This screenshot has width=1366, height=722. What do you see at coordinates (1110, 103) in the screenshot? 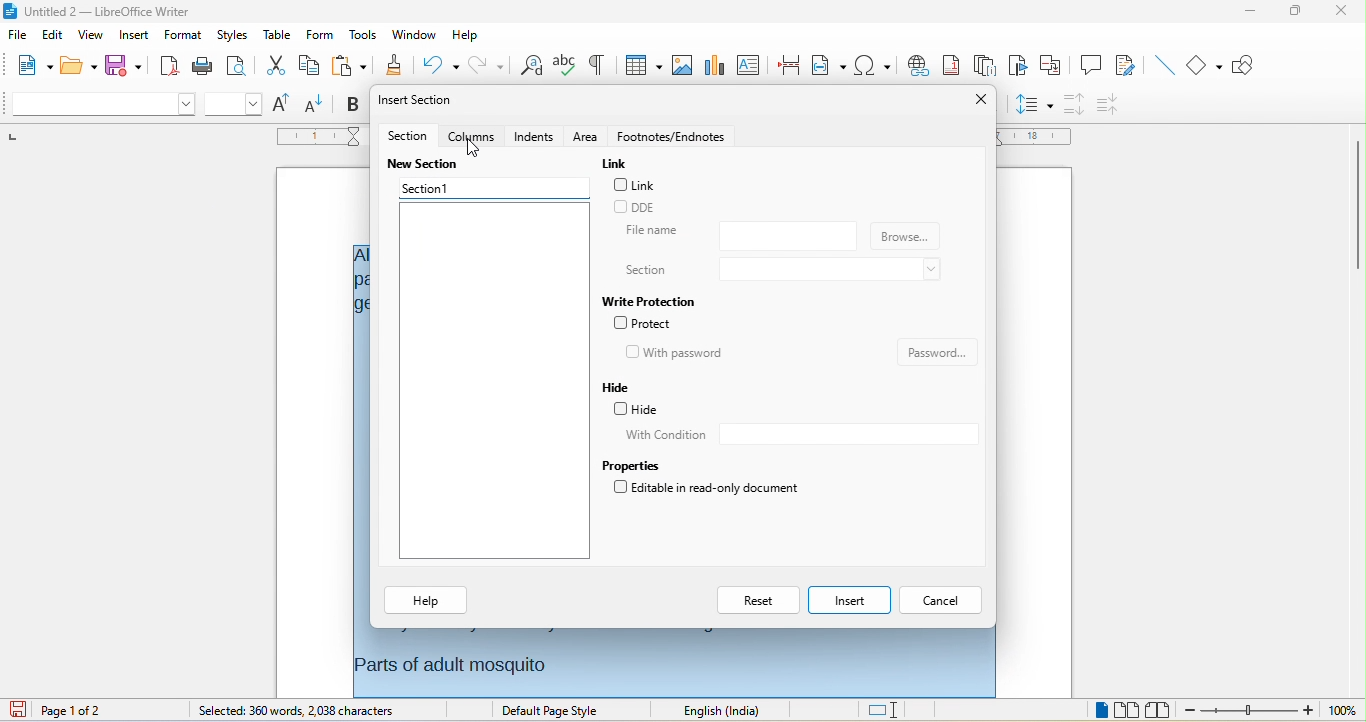
I see `decrease paragraph spacing` at bounding box center [1110, 103].